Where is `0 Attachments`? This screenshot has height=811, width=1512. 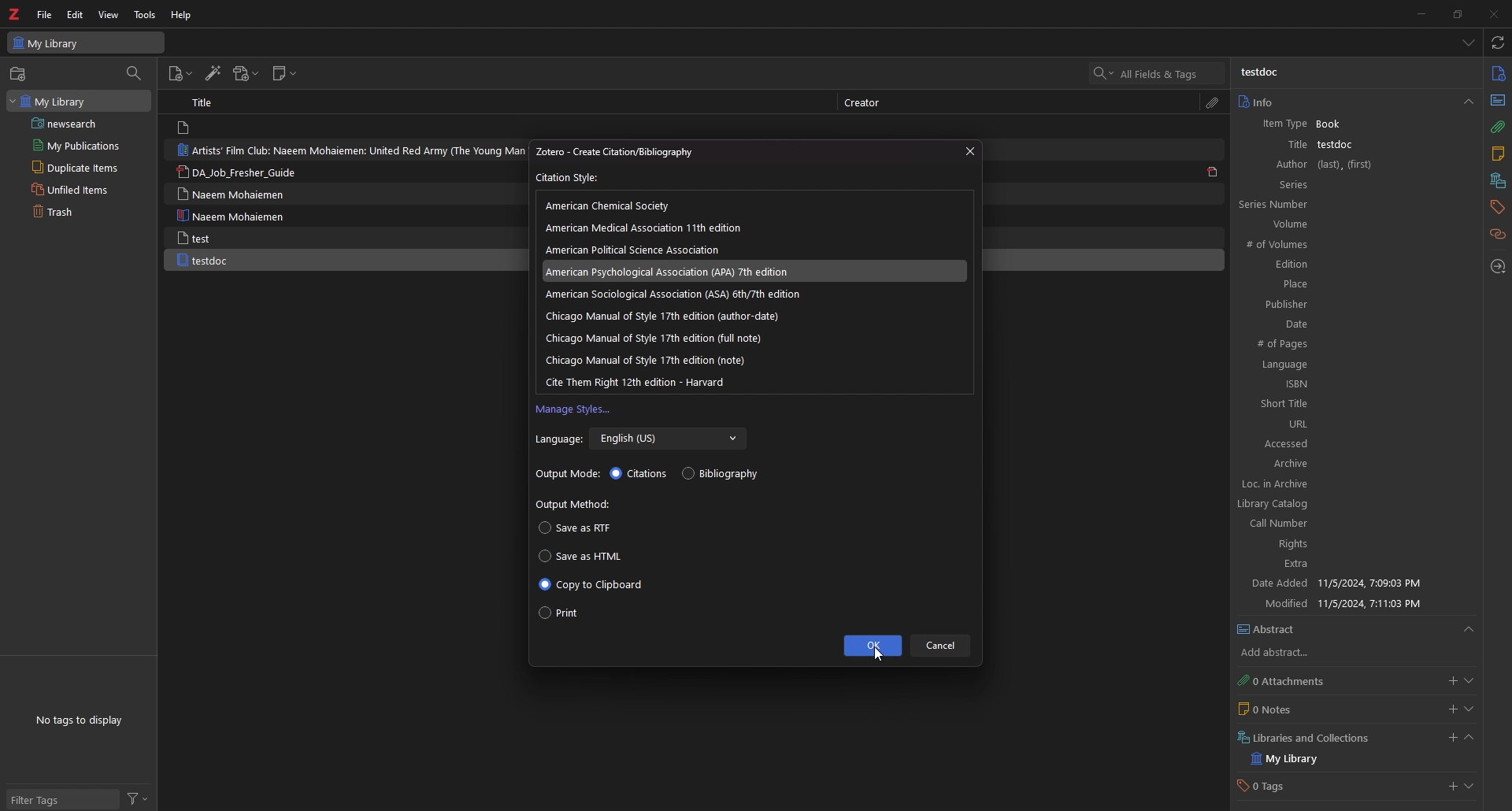
0 Attachments is located at coordinates (1296, 680).